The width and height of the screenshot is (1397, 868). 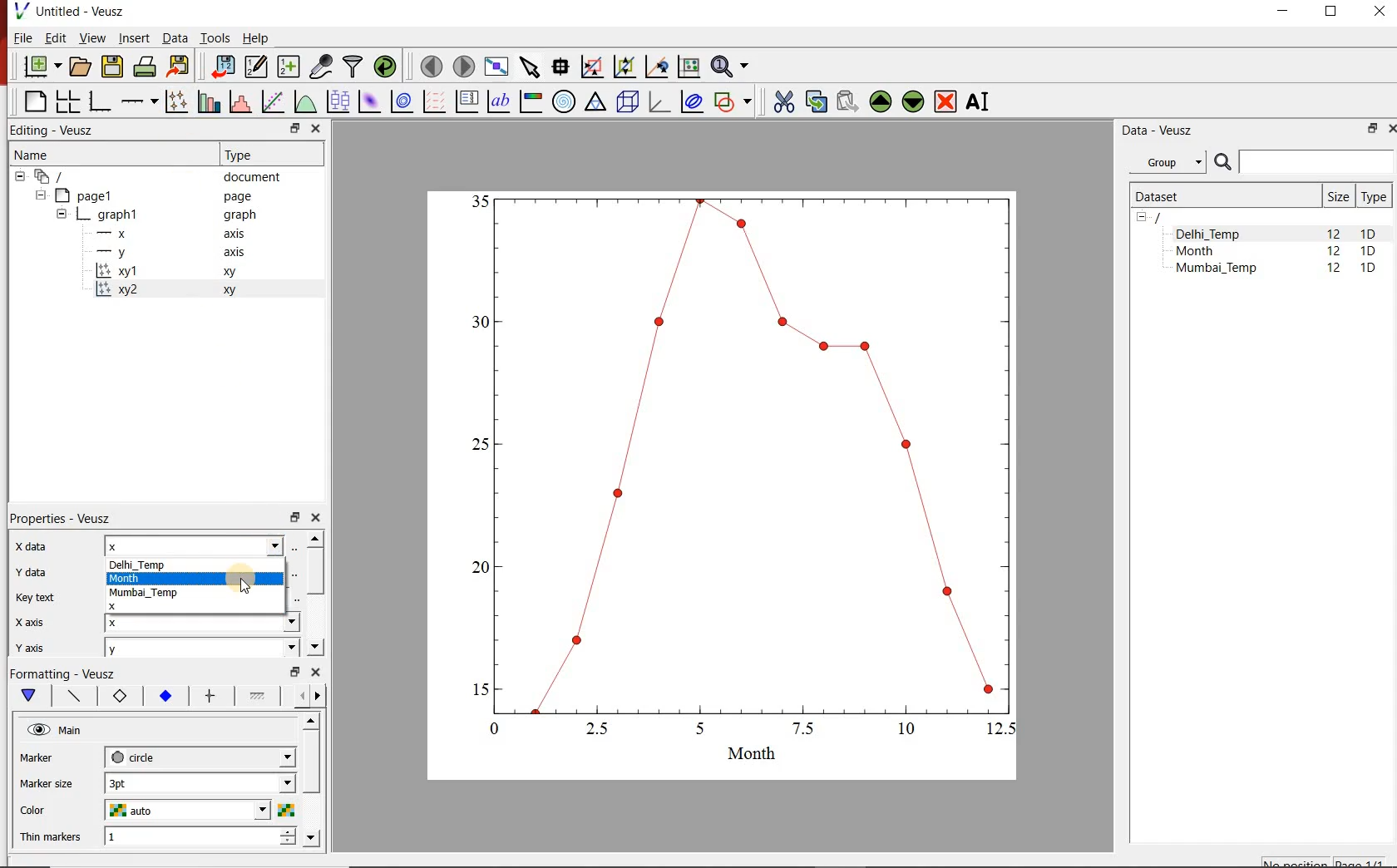 I want to click on base graph, so click(x=98, y=102).